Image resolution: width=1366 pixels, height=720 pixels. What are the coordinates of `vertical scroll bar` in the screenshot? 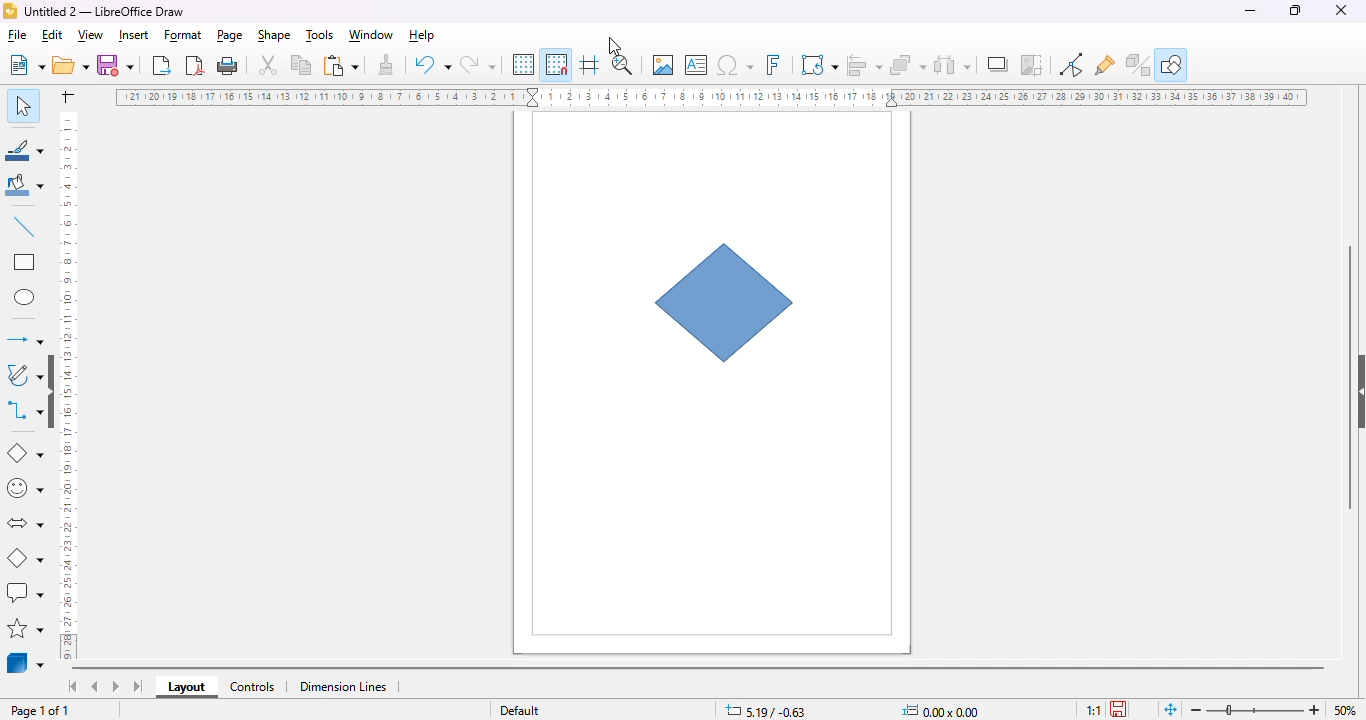 It's located at (1347, 378).